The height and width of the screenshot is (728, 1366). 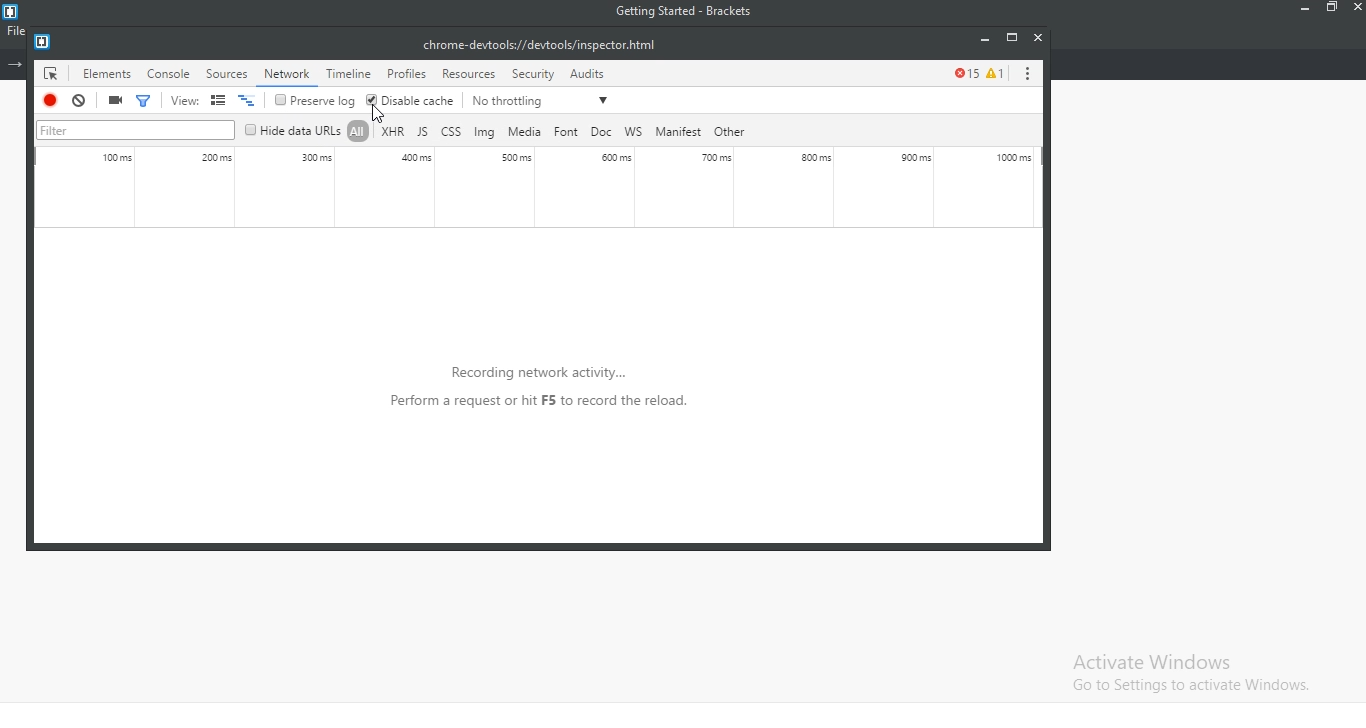 I want to click on restore, so click(x=1011, y=36).